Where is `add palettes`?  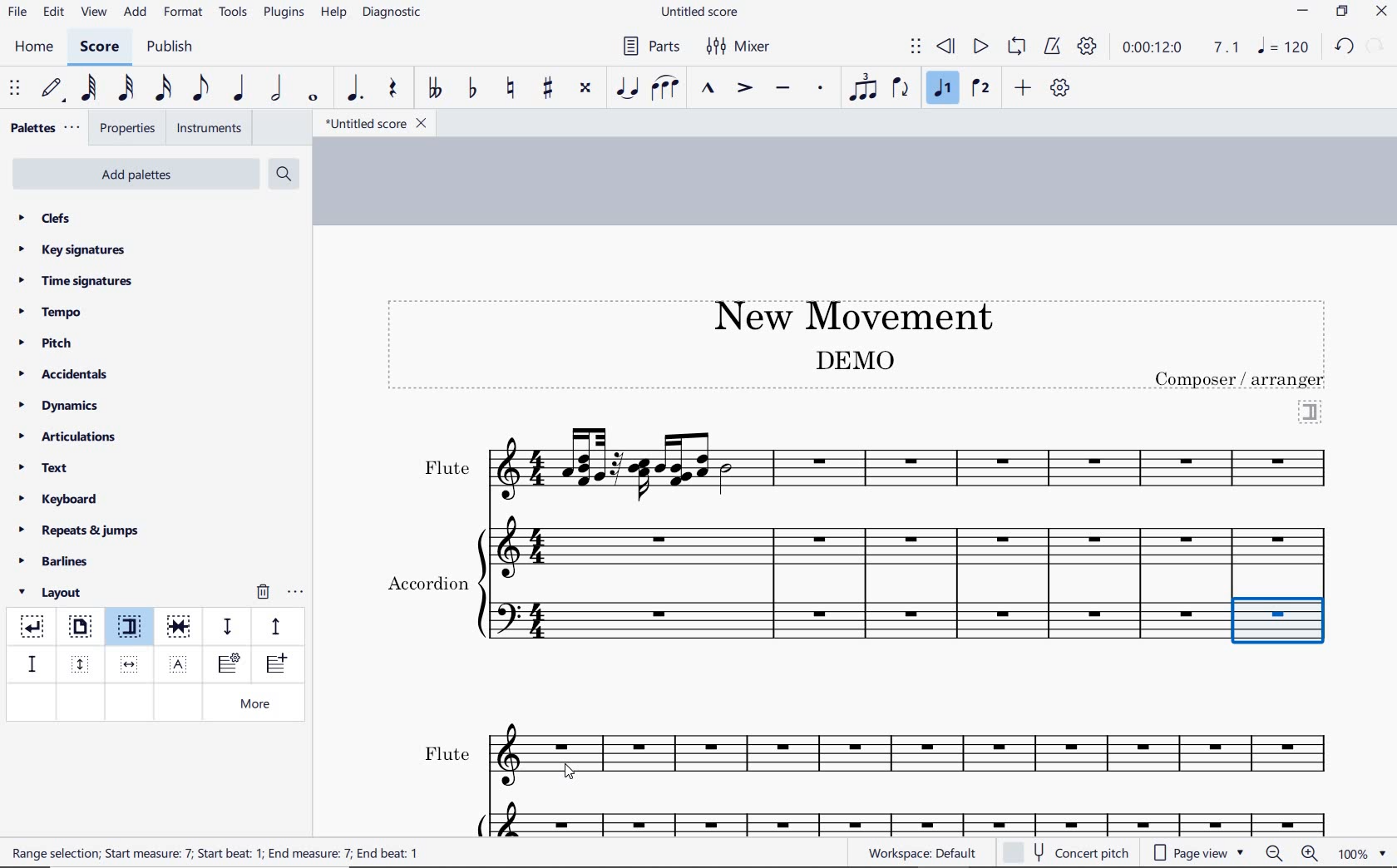
add palettes is located at coordinates (138, 177).